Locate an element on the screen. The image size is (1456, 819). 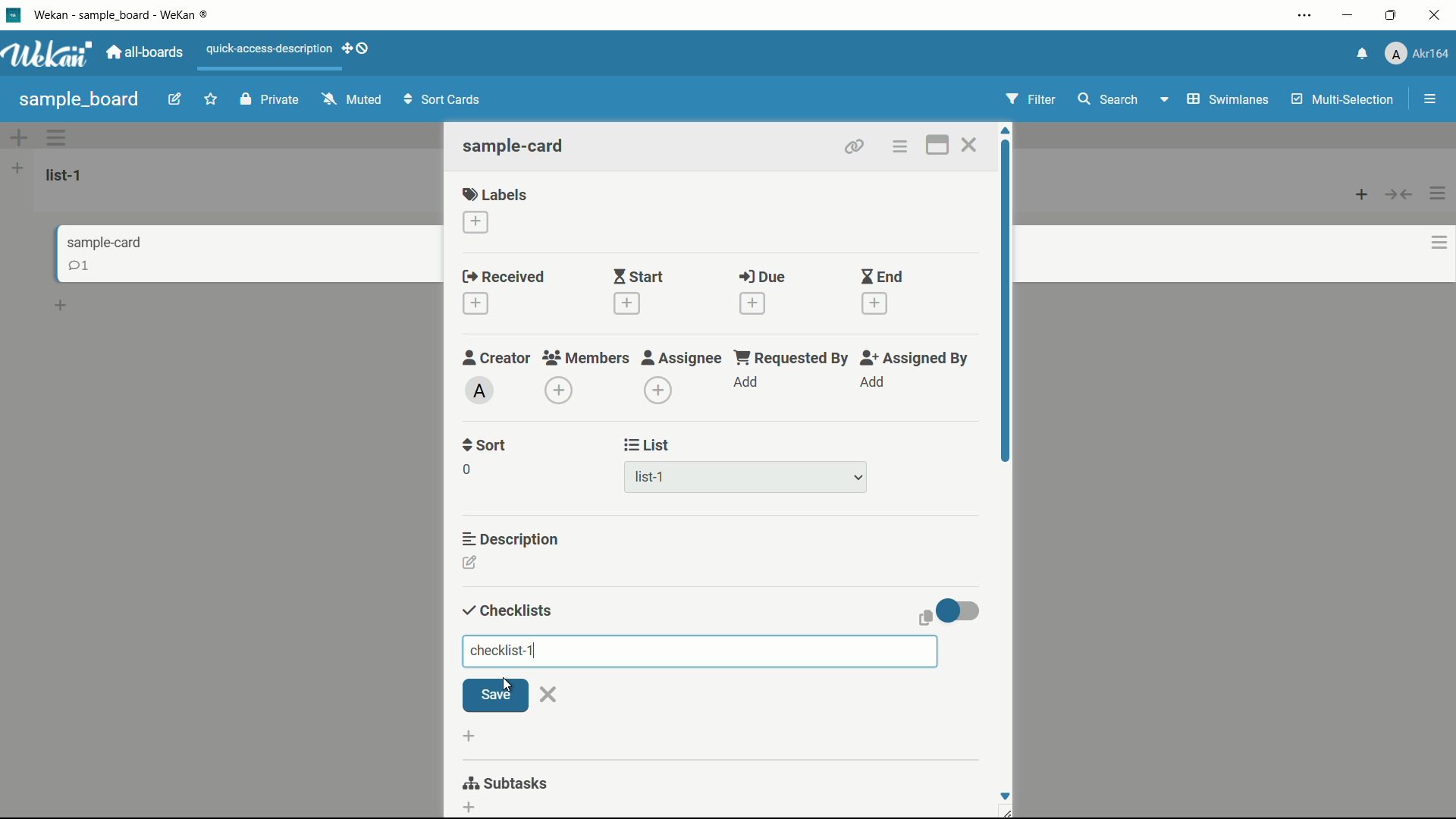
maximize card is located at coordinates (937, 145).